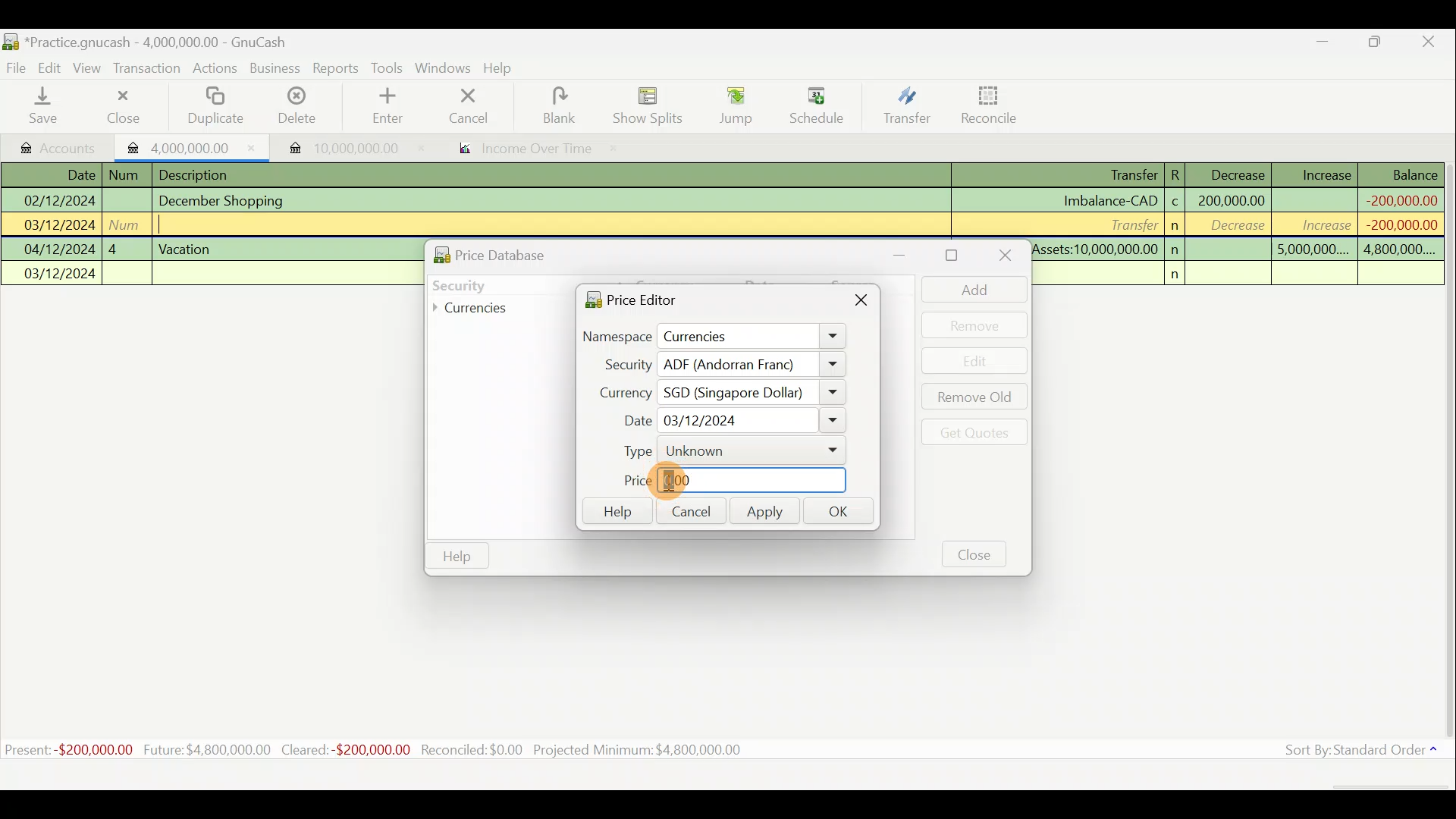 The height and width of the screenshot is (819, 1456). What do you see at coordinates (126, 247) in the screenshot?
I see `4` at bounding box center [126, 247].